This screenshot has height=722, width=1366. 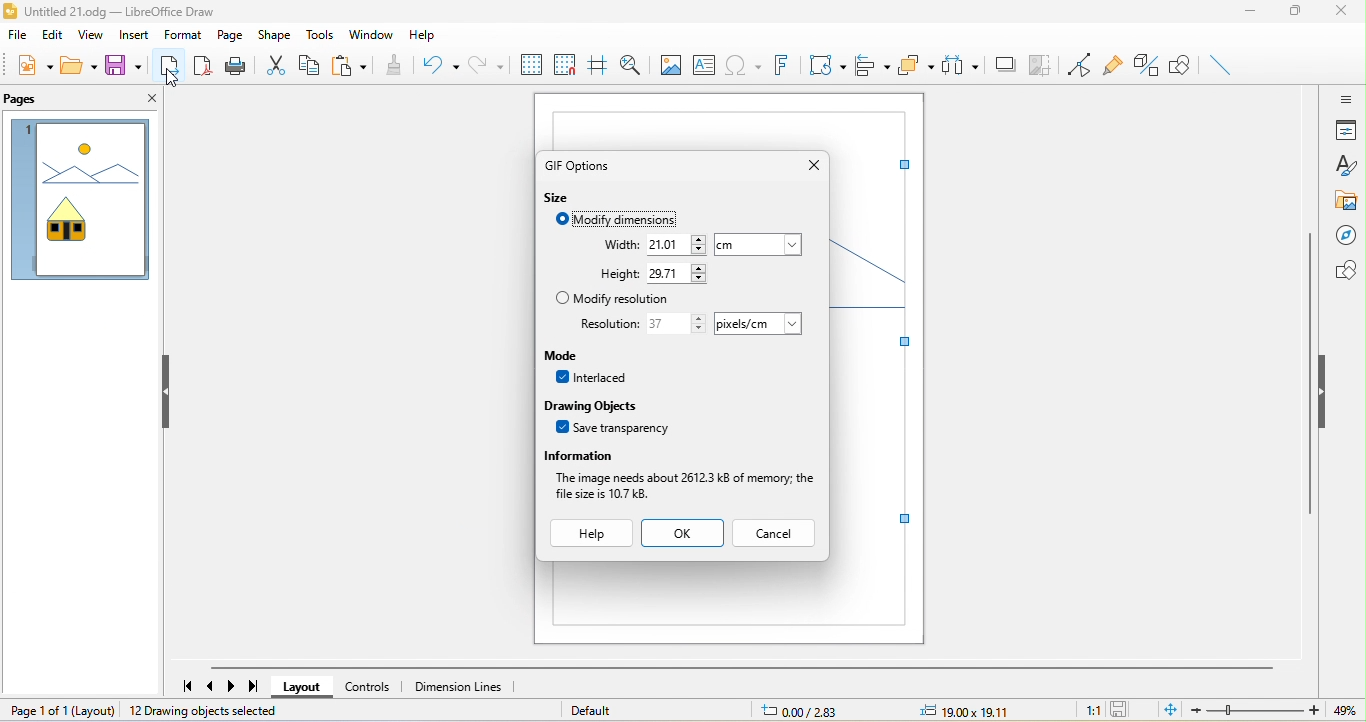 What do you see at coordinates (593, 710) in the screenshot?
I see `default` at bounding box center [593, 710].